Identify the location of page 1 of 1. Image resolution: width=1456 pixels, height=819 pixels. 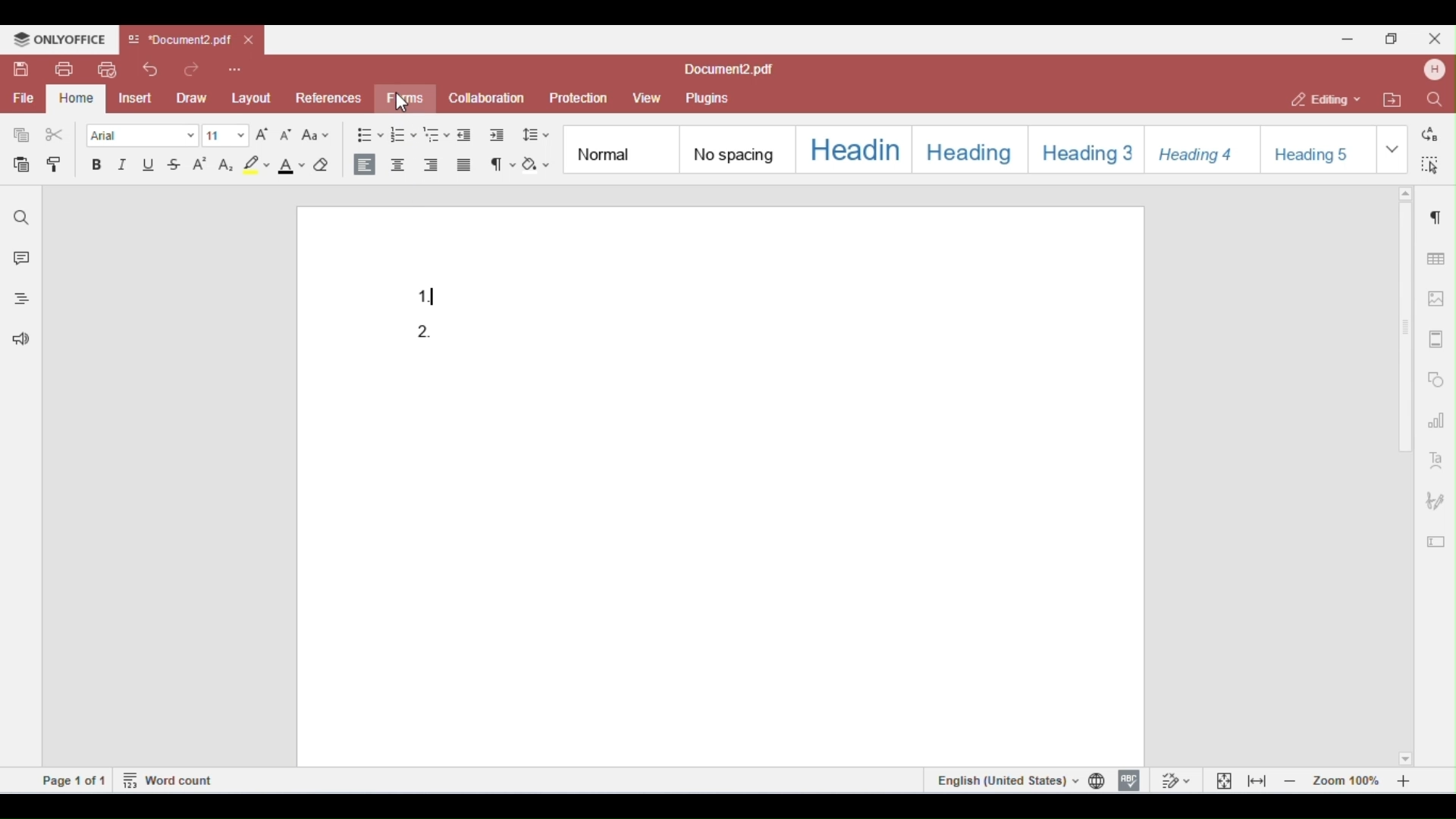
(74, 780).